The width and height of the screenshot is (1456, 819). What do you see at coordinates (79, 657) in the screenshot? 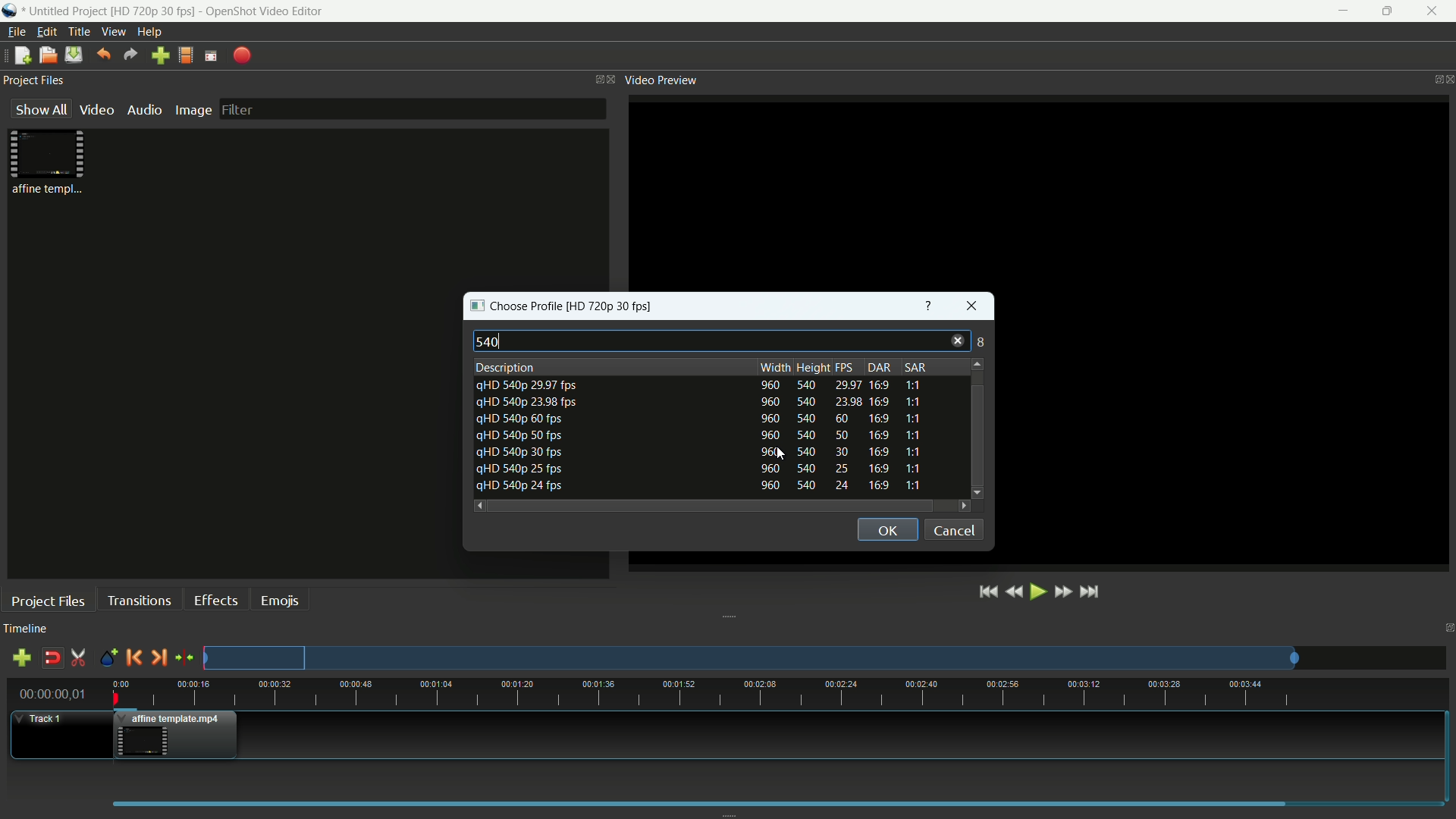
I see `enable razor` at bounding box center [79, 657].